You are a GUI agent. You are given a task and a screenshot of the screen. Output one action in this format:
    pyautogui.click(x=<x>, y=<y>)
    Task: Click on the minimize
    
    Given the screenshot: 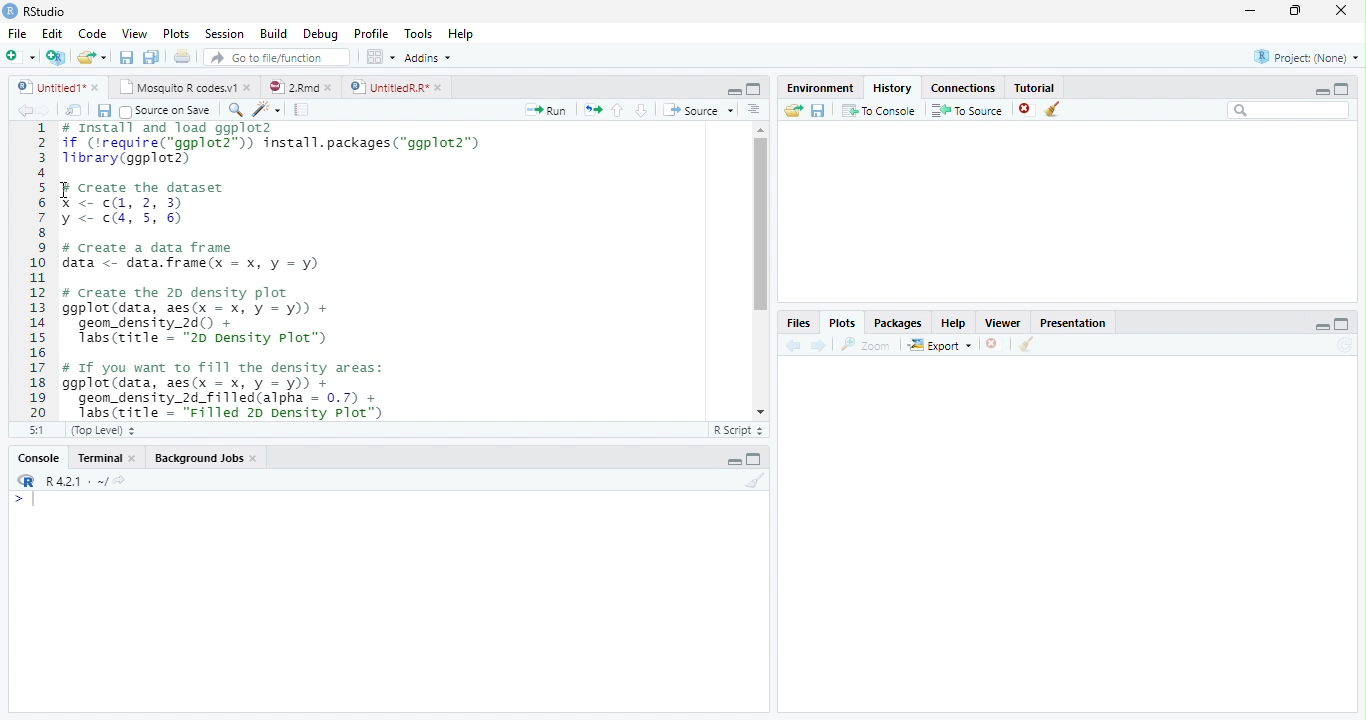 What is the action you would take?
    pyautogui.click(x=734, y=462)
    